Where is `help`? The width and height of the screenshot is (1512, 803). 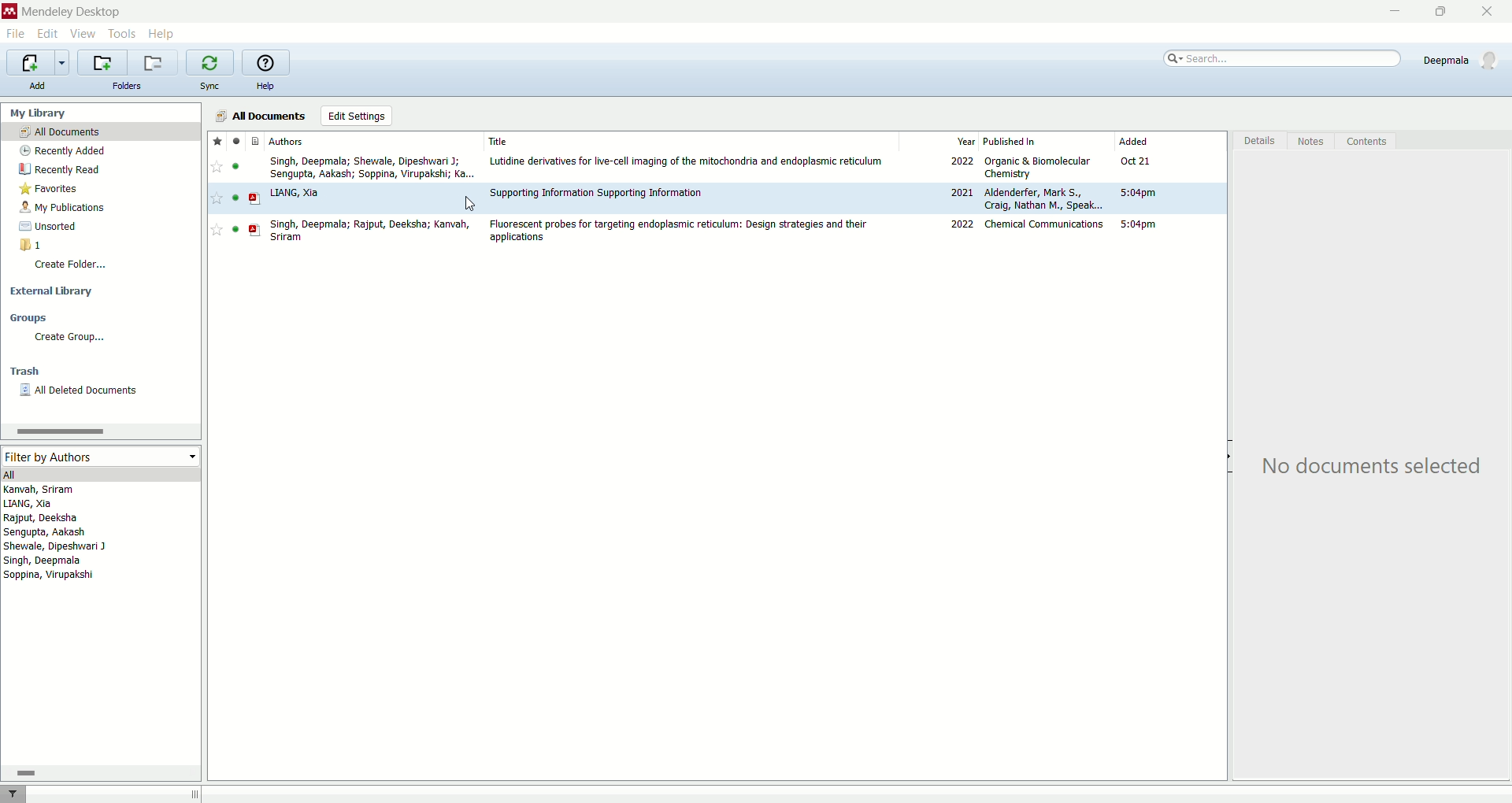 help is located at coordinates (161, 35).